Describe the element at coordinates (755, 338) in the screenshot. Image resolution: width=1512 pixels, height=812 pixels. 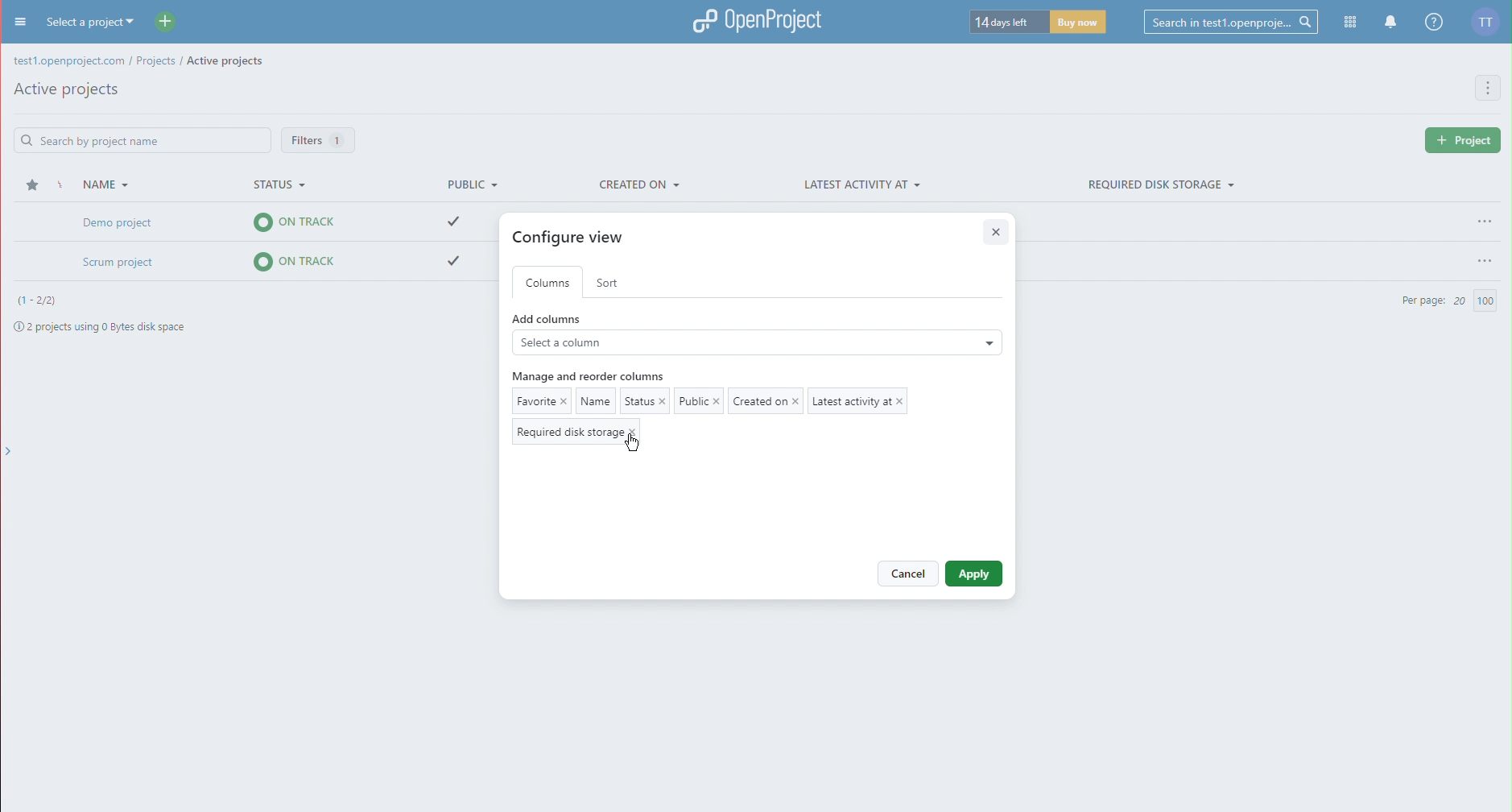
I see `Add Columns` at that location.